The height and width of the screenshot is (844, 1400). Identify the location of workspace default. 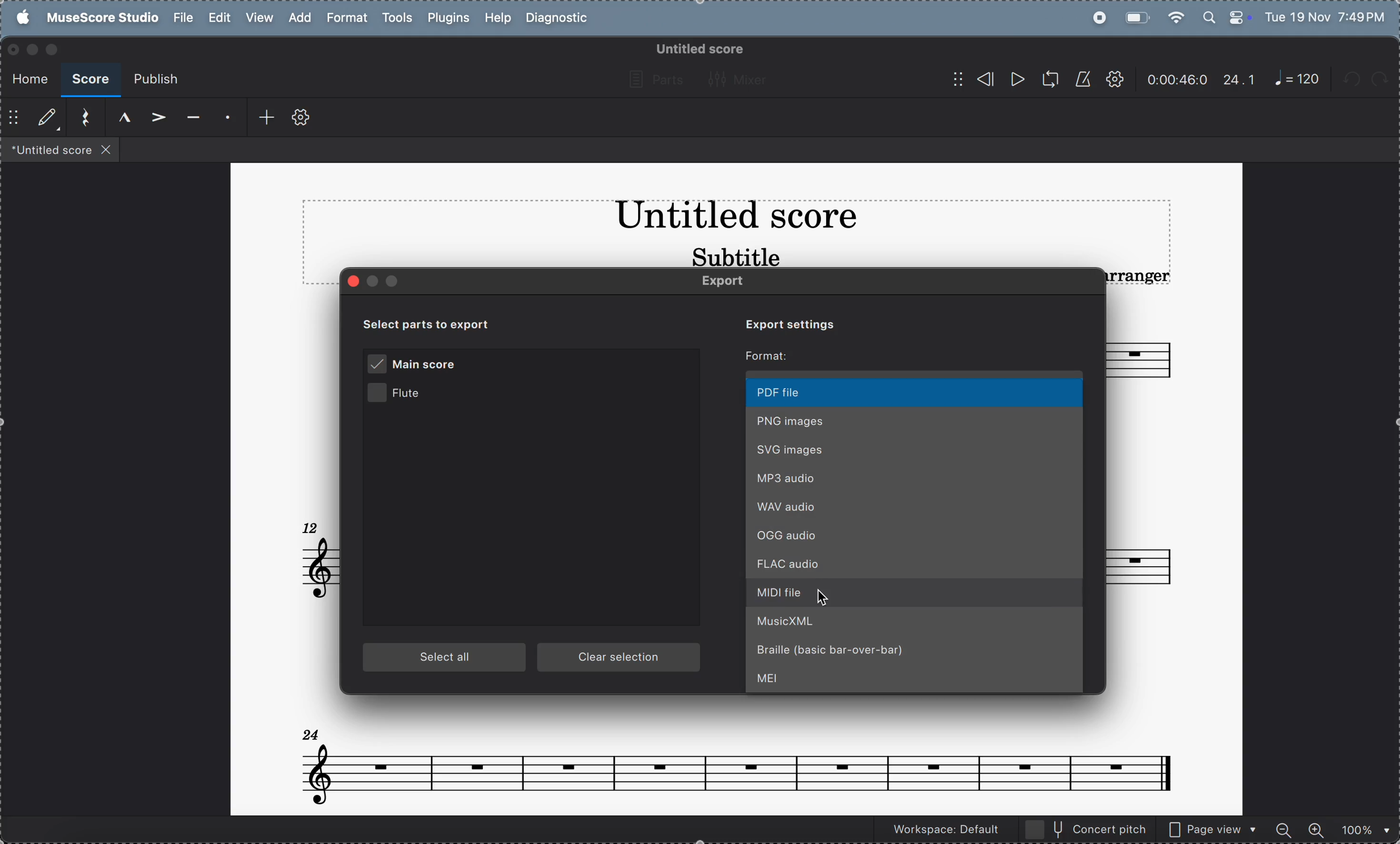
(942, 831).